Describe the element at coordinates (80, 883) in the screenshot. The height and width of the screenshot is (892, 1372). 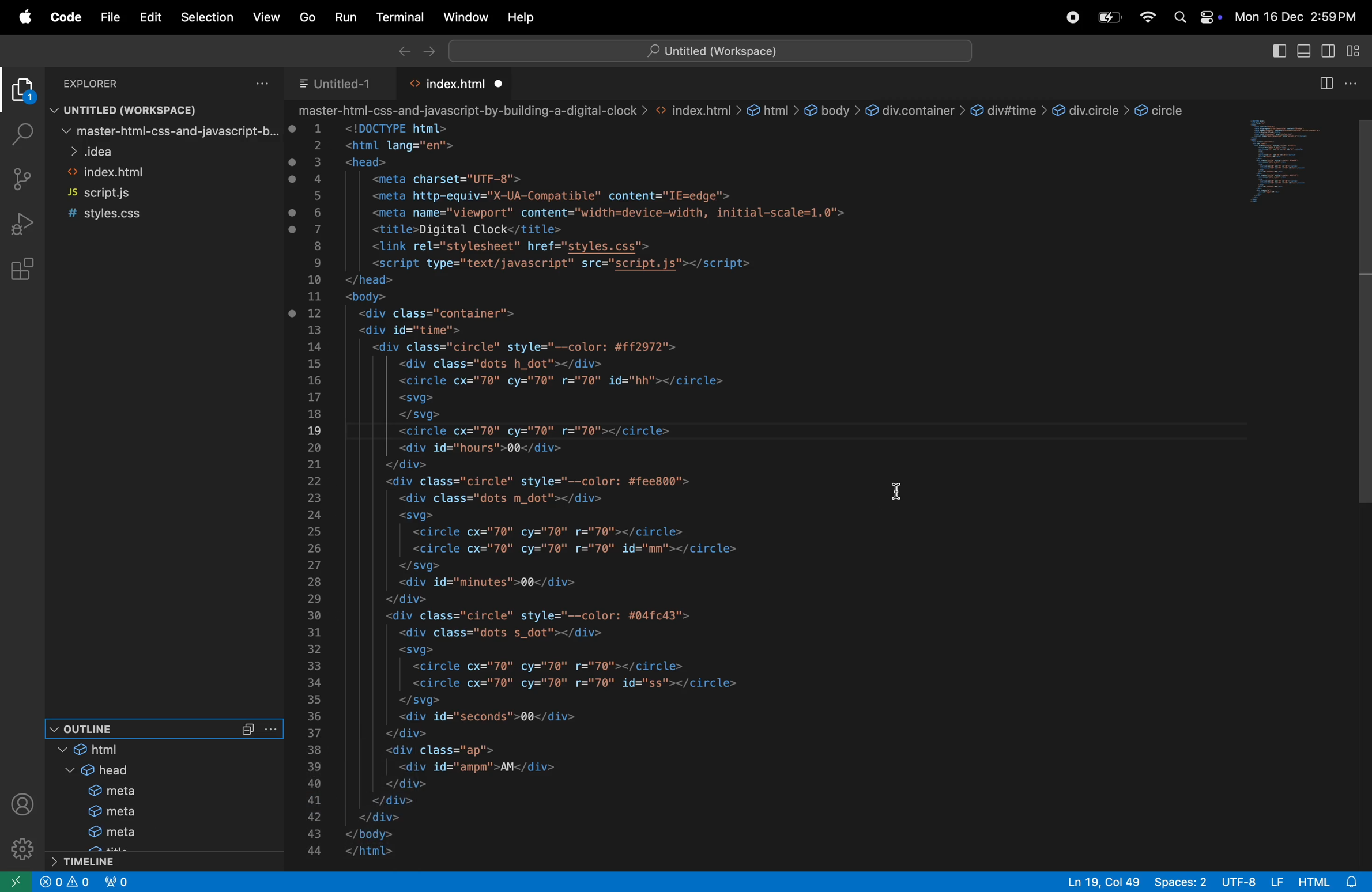
I see `alert` at that location.